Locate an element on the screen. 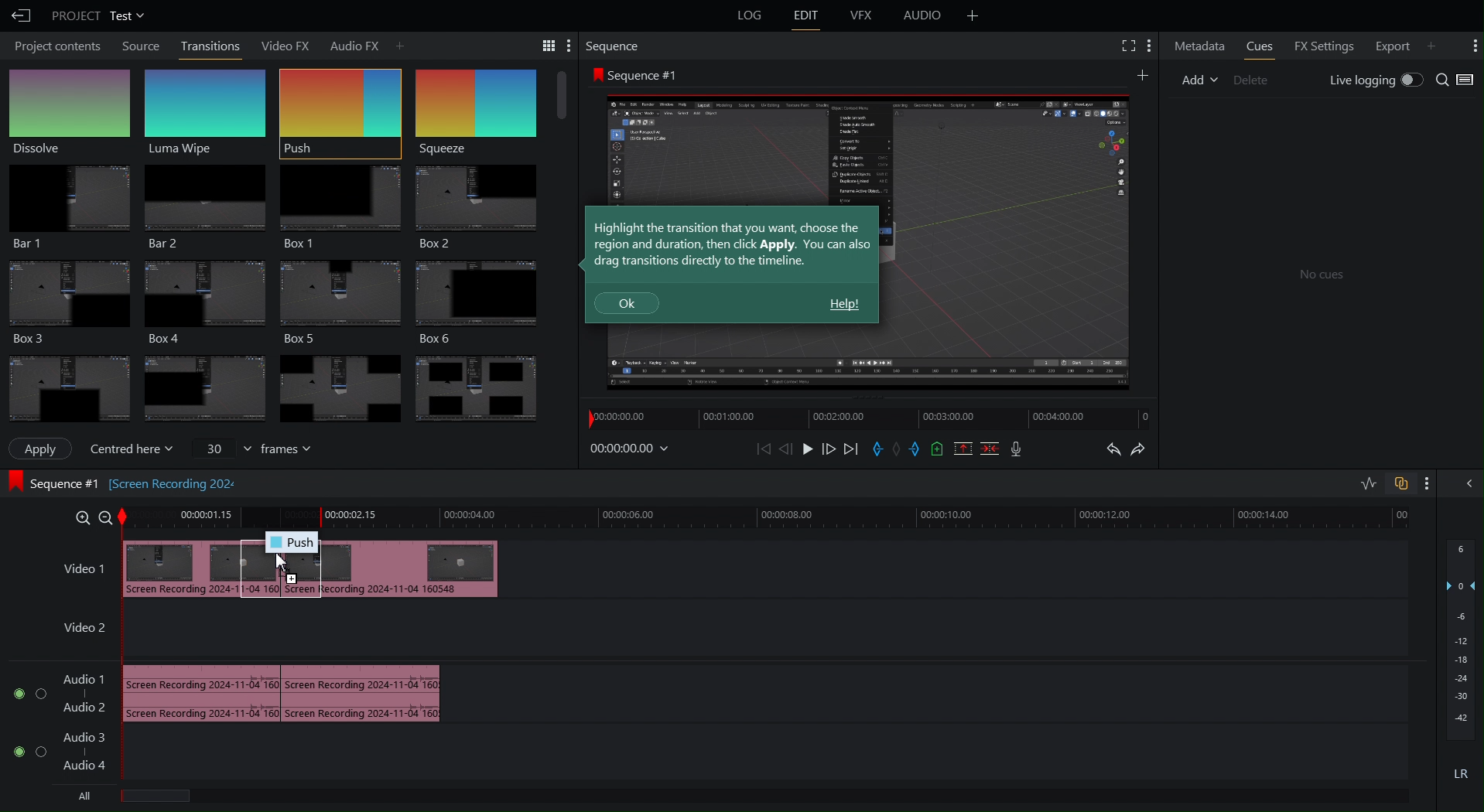  Push is located at coordinates (296, 544).